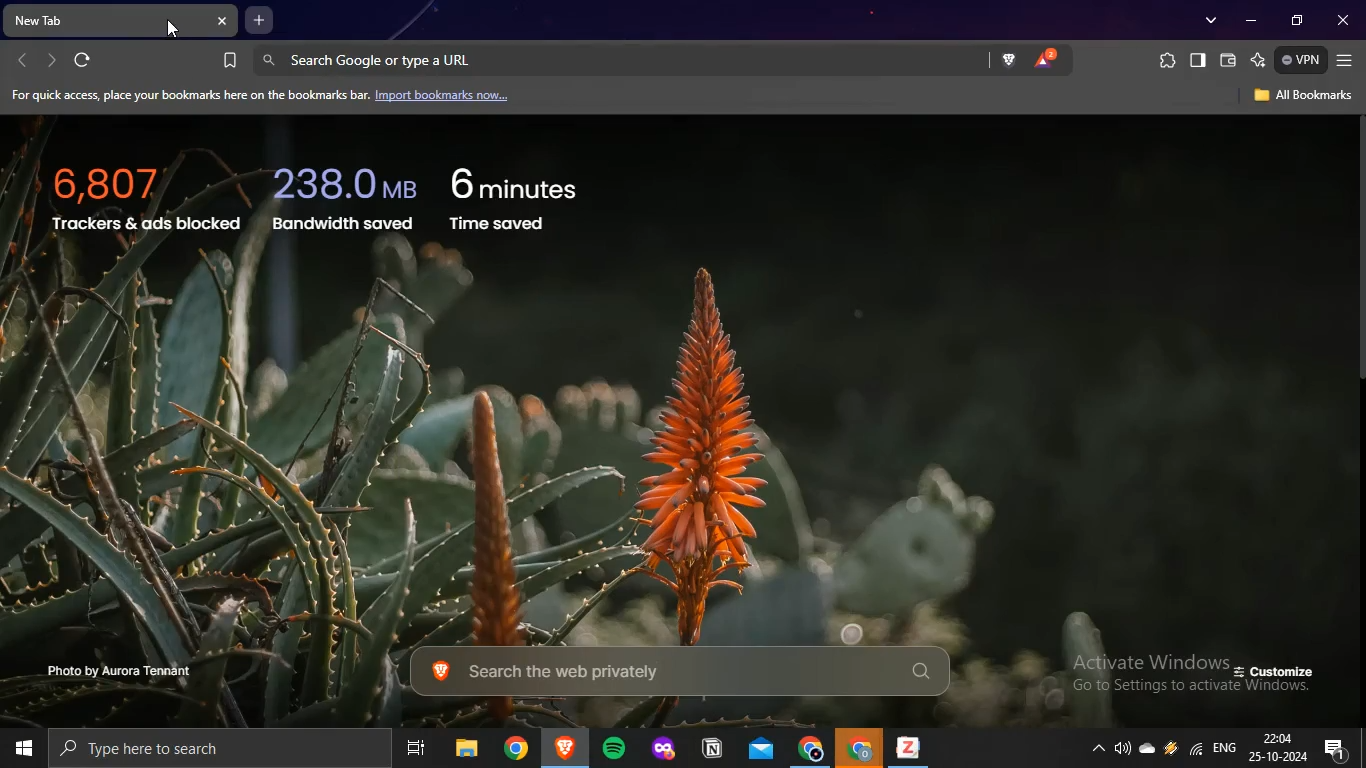  I want to click on notifications, so click(1340, 749).